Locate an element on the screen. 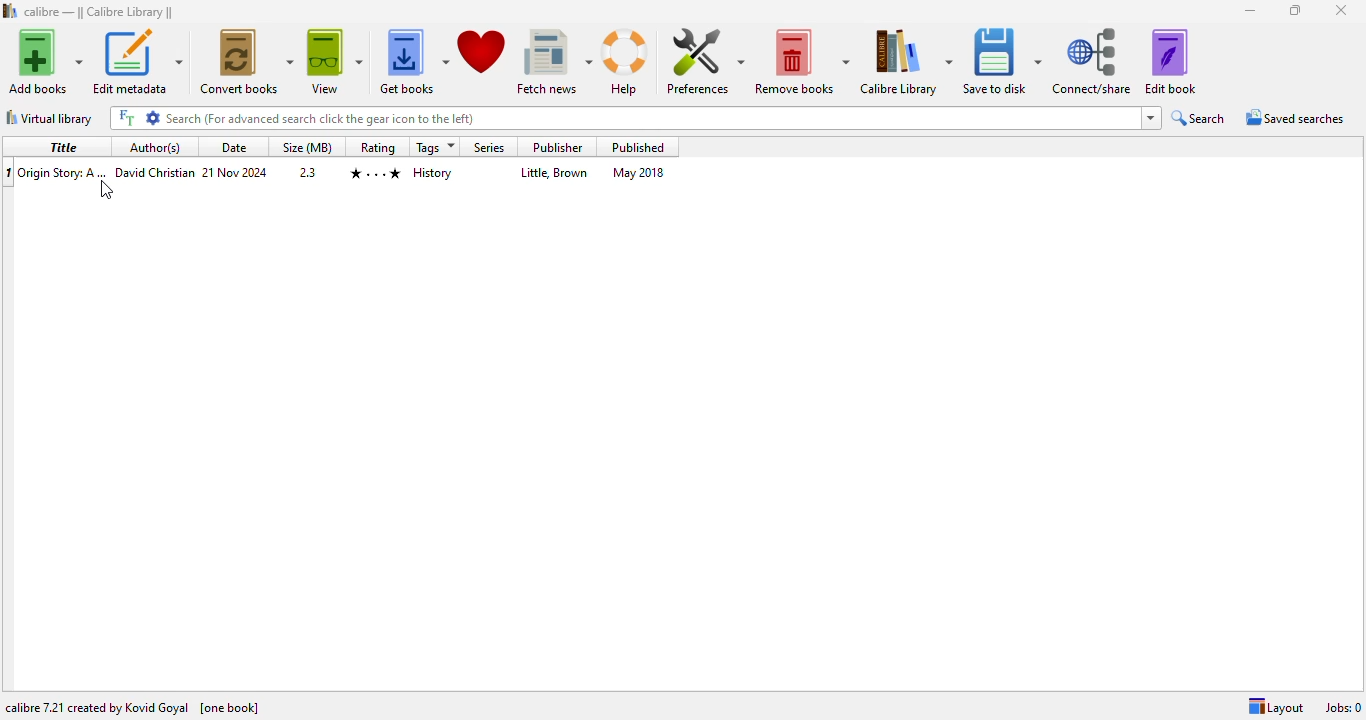 The image size is (1366, 720). Origin Story: A Big History of Everything is located at coordinates (63, 172).